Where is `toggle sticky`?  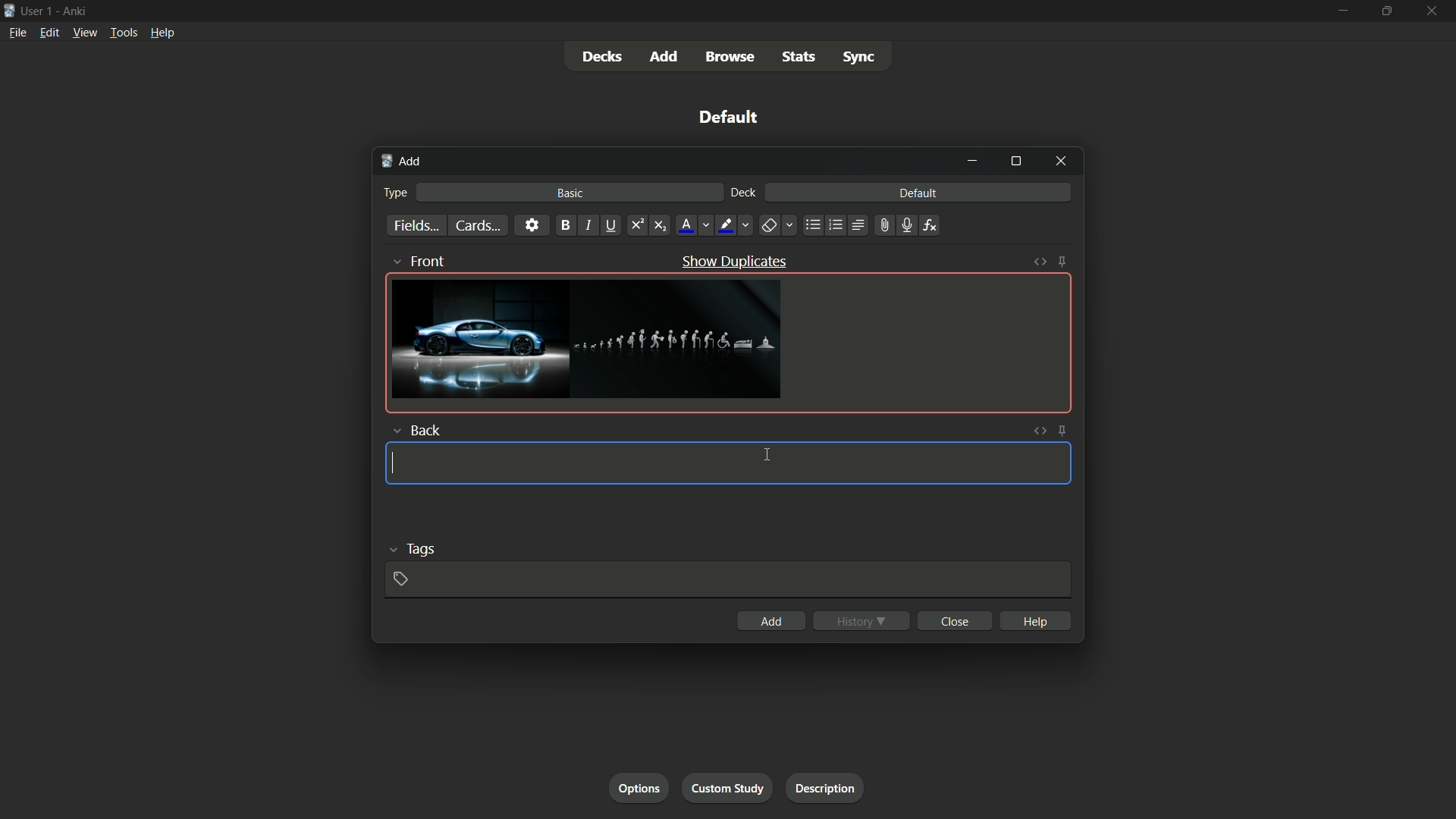 toggle sticky is located at coordinates (1064, 261).